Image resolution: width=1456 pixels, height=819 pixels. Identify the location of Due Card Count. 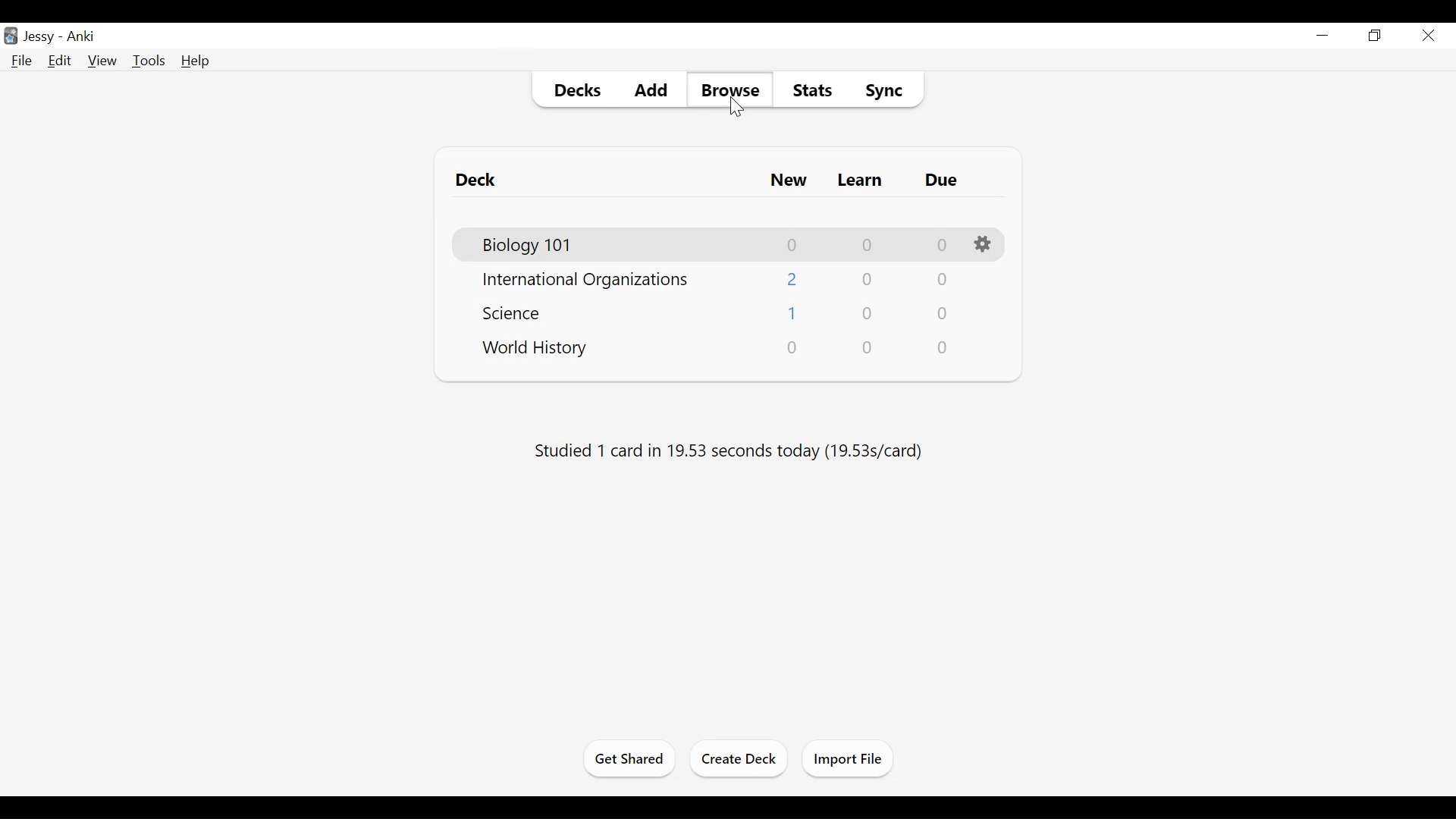
(941, 245).